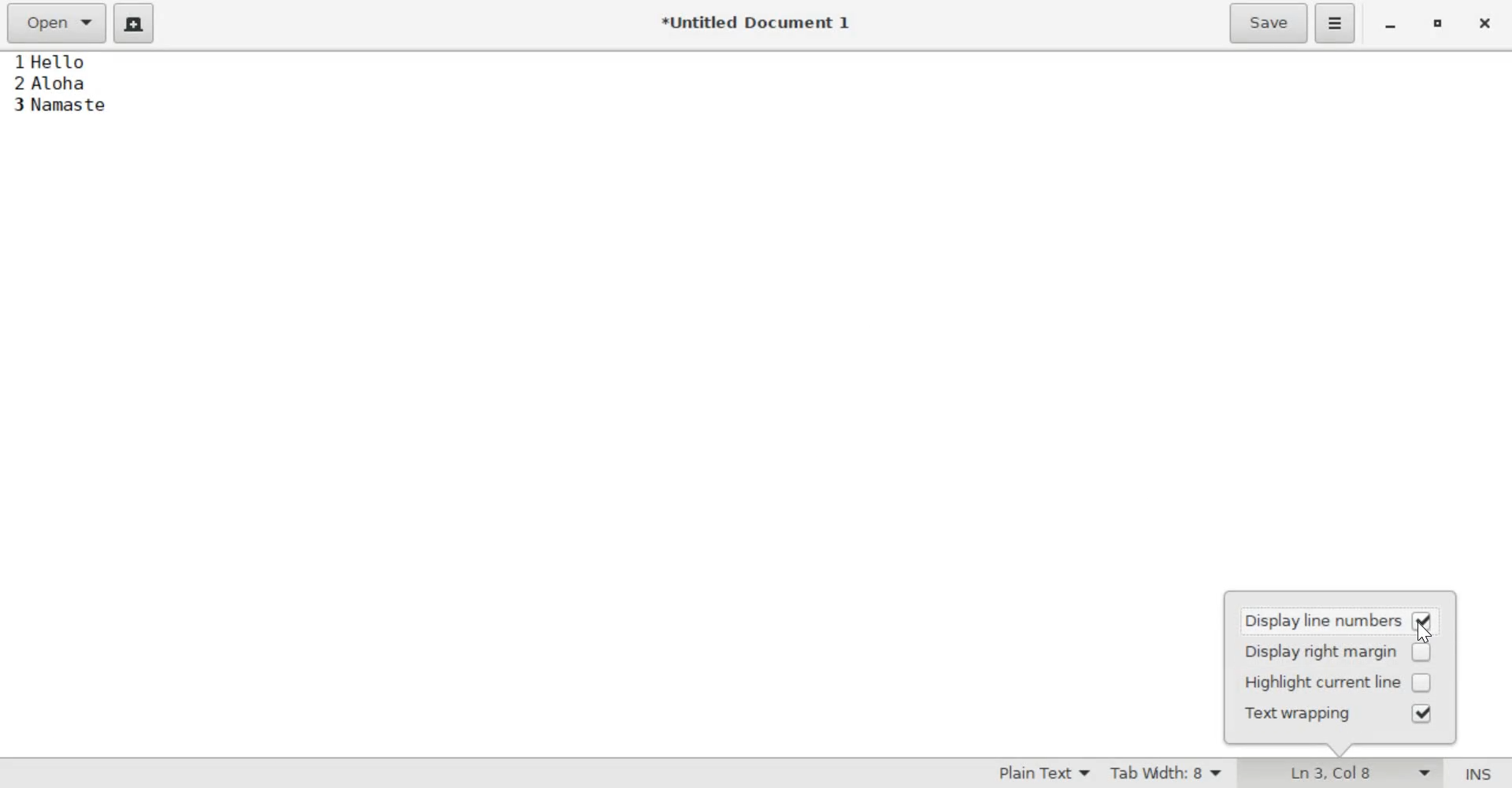  What do you see at coordinates (57, 23) in the screenshot?
I see `Open` at bounding box center [57, 23].